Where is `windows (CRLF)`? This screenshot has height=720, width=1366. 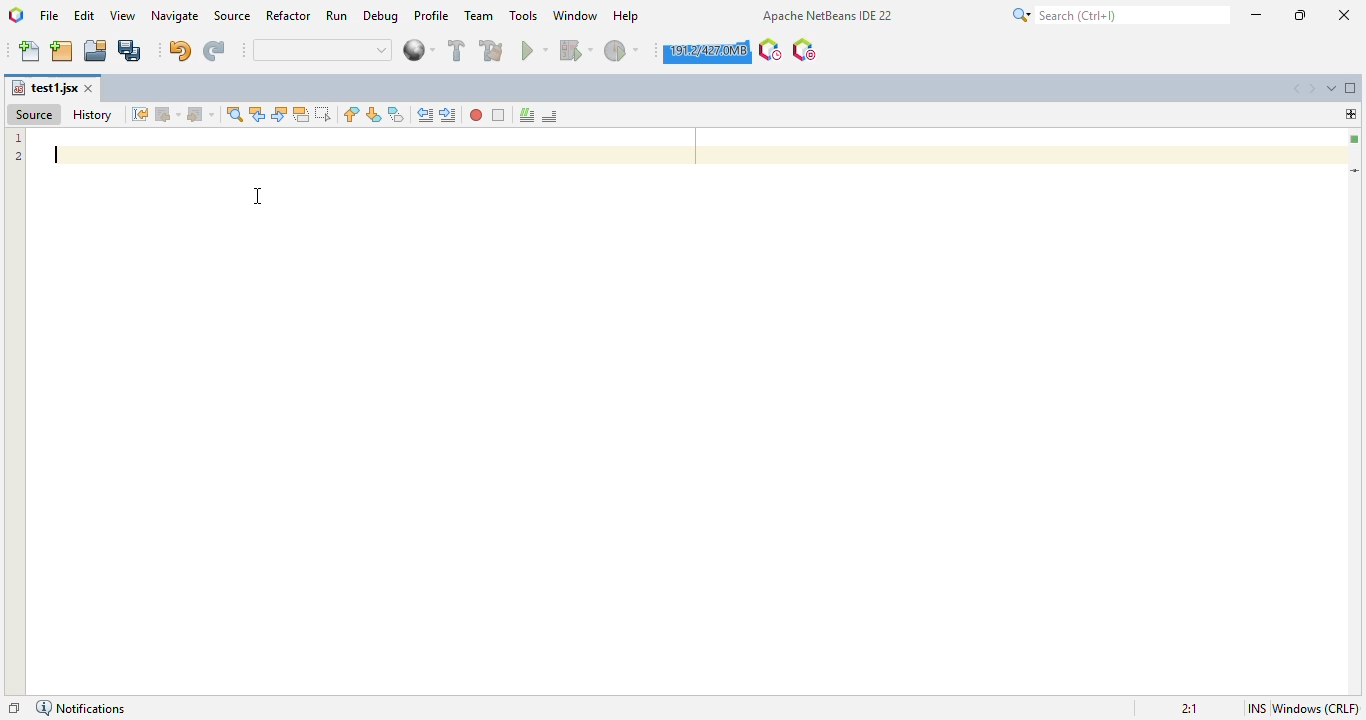
windows (CRLF) is located at coordinates (1316, 709).